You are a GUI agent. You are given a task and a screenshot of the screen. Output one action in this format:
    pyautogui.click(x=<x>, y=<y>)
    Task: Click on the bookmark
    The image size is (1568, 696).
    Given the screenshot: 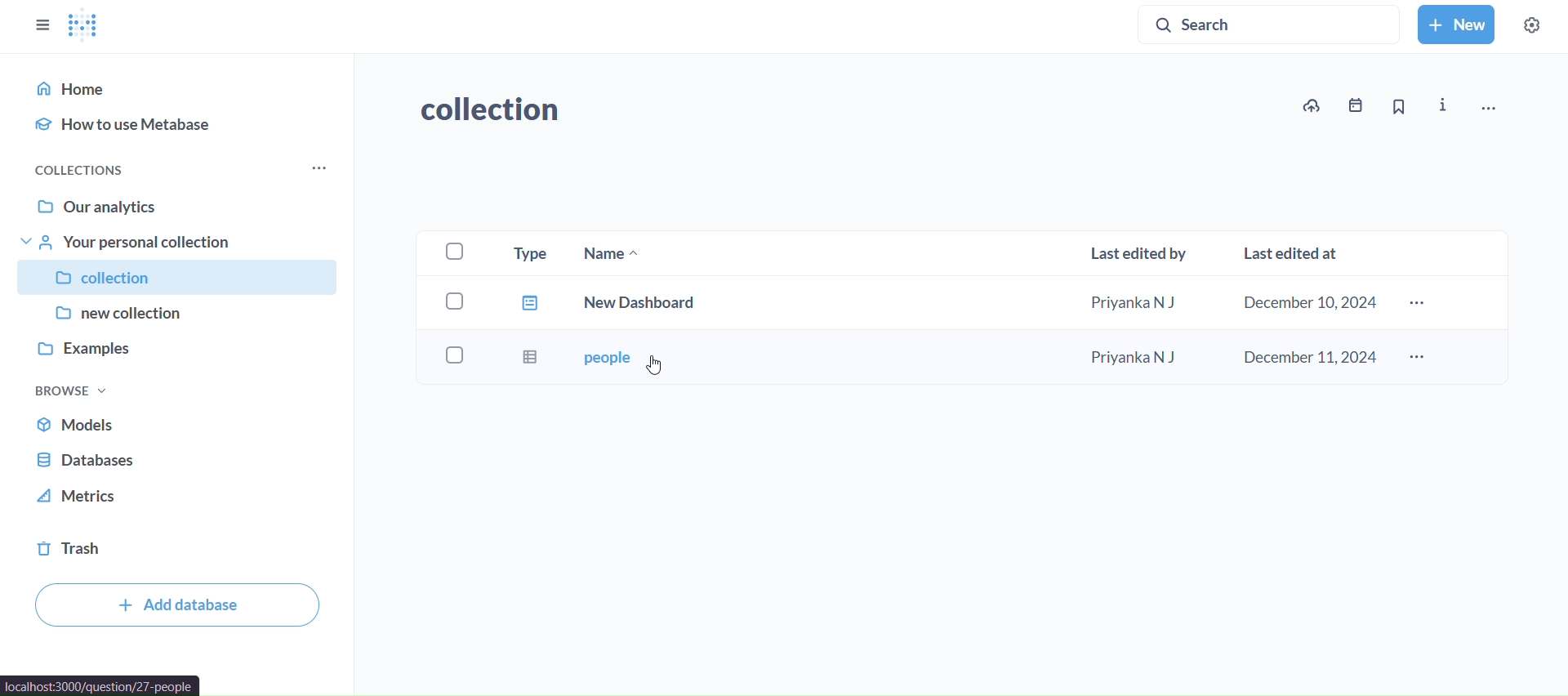 What is the action you would take?
    pyautogui.click(x=1394, y=105)
    